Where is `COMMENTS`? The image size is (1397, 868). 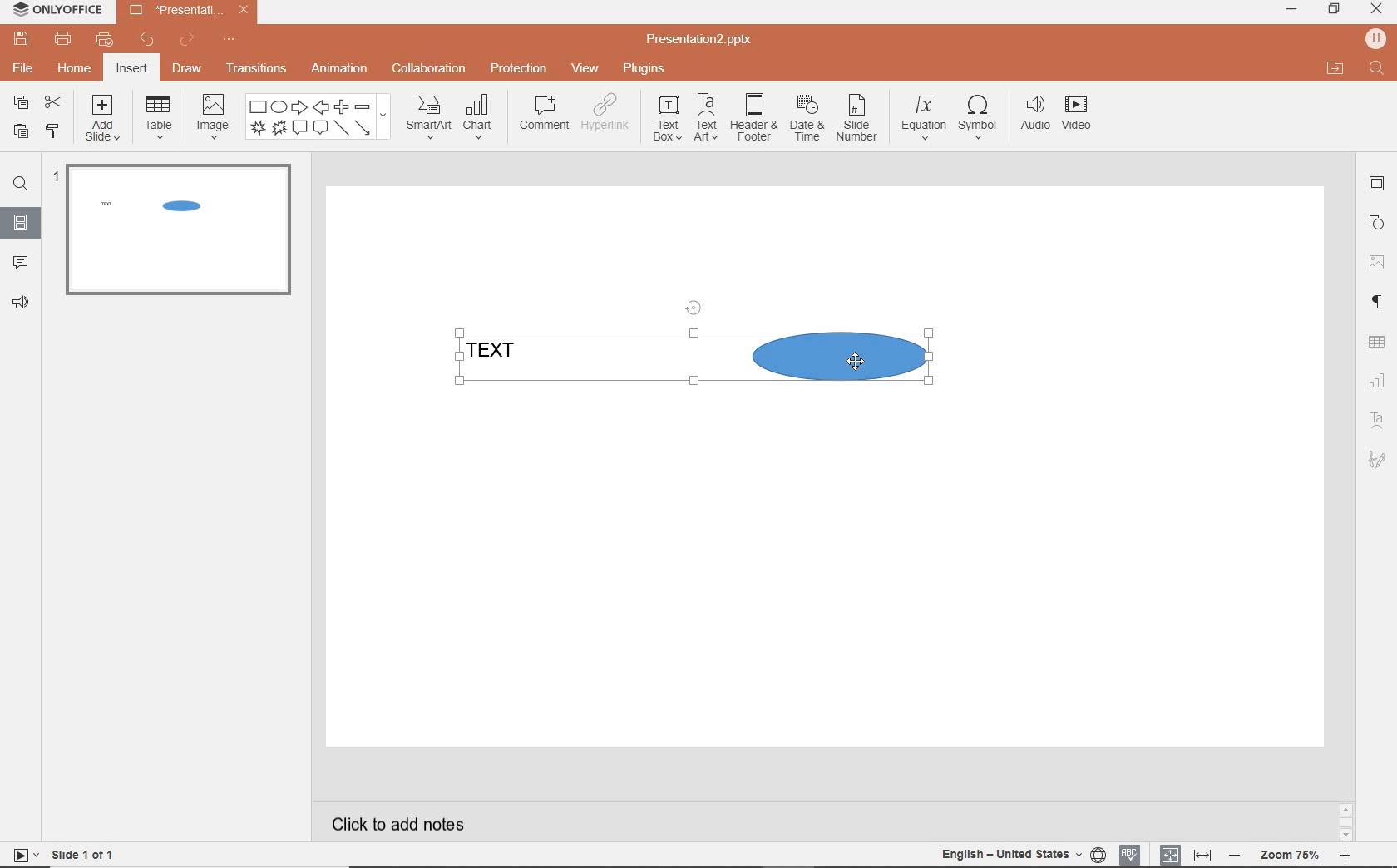
COMMENTS is located at coordinates (19, 259).